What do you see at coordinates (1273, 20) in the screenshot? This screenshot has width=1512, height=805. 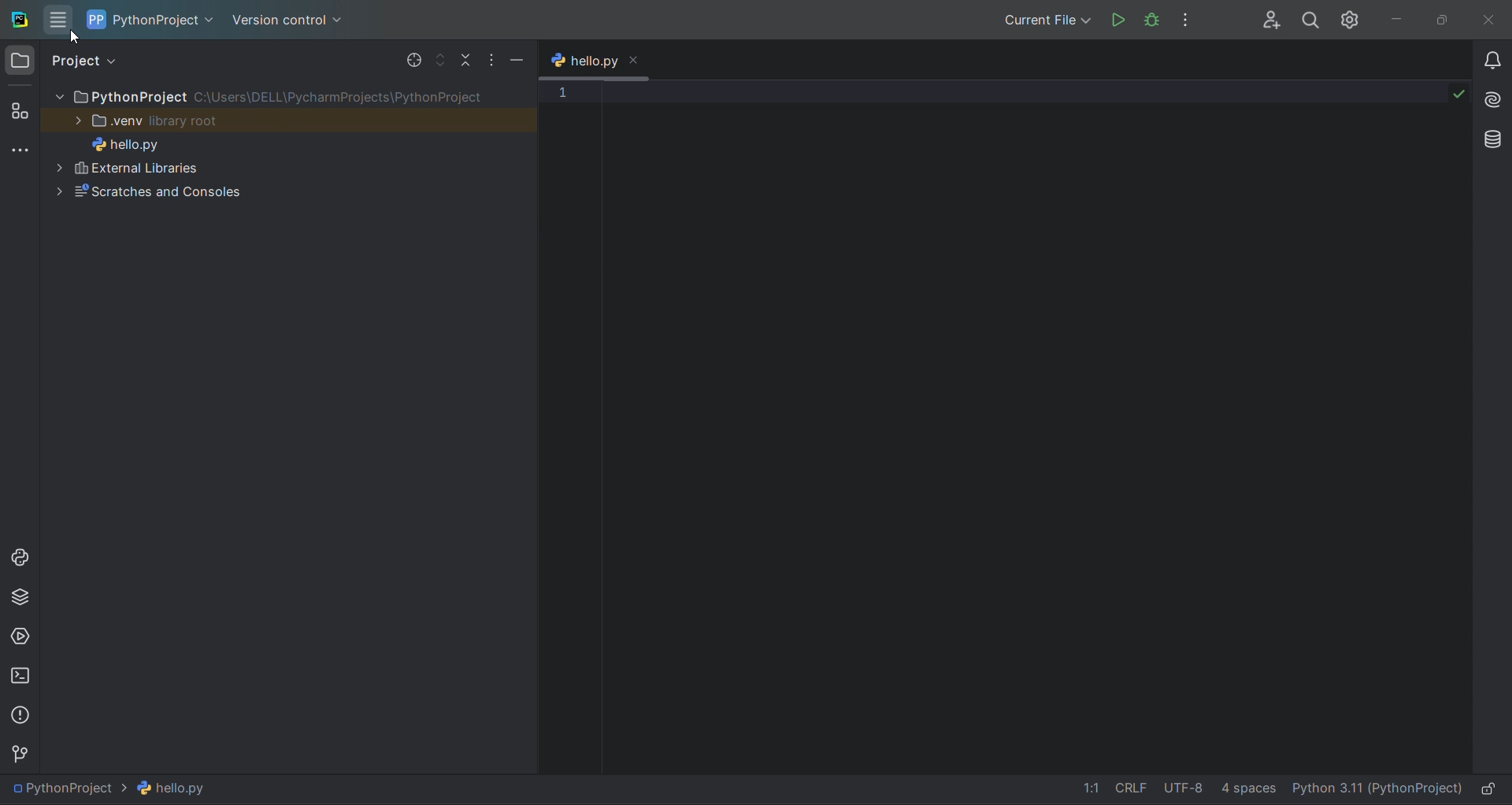 I see `collab` at bounding box center [1273, 20].